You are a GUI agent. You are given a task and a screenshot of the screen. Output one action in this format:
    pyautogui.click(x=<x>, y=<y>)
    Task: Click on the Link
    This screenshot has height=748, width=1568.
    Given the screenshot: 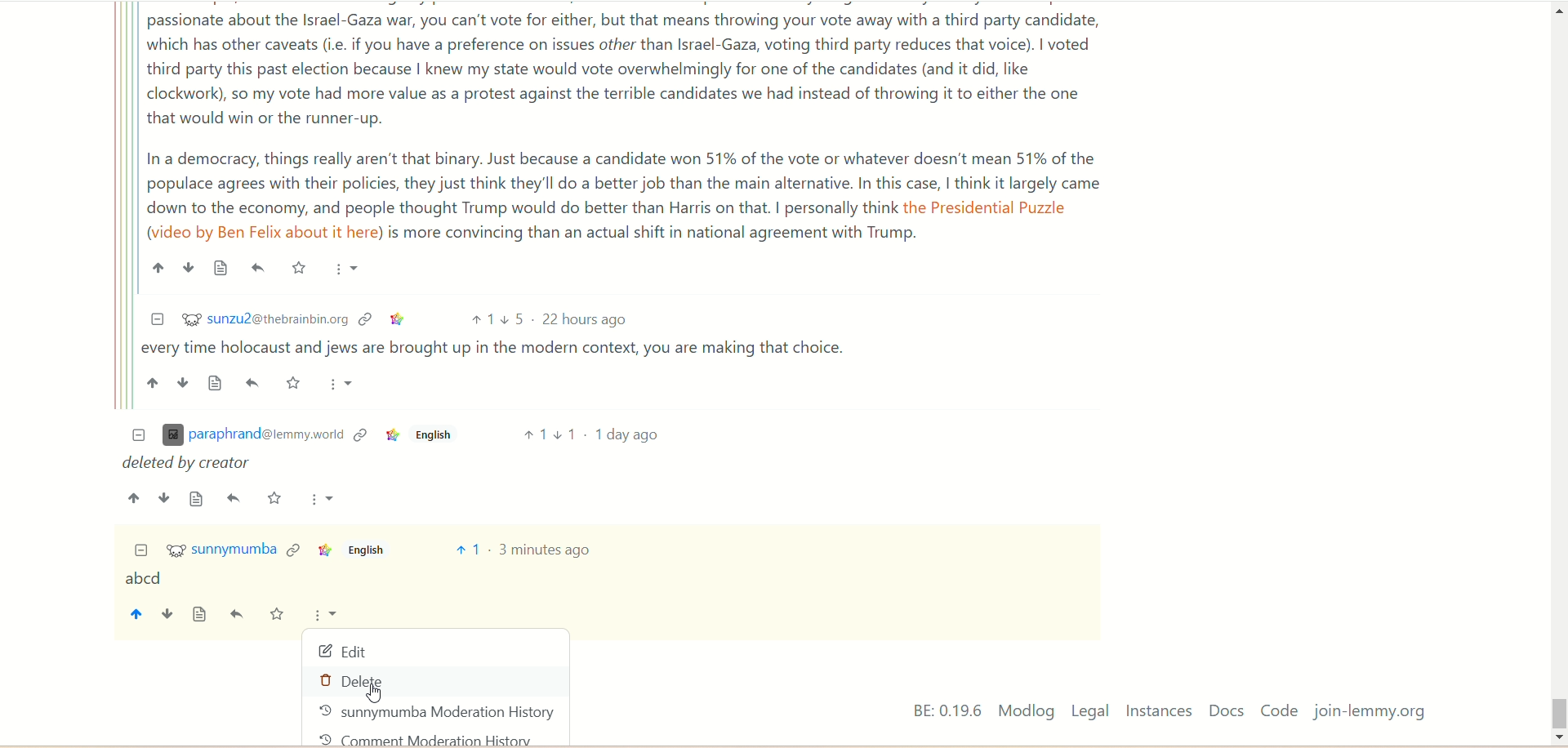 What is the action you would take?
    pyautogui.click(x=366, y=319)
    